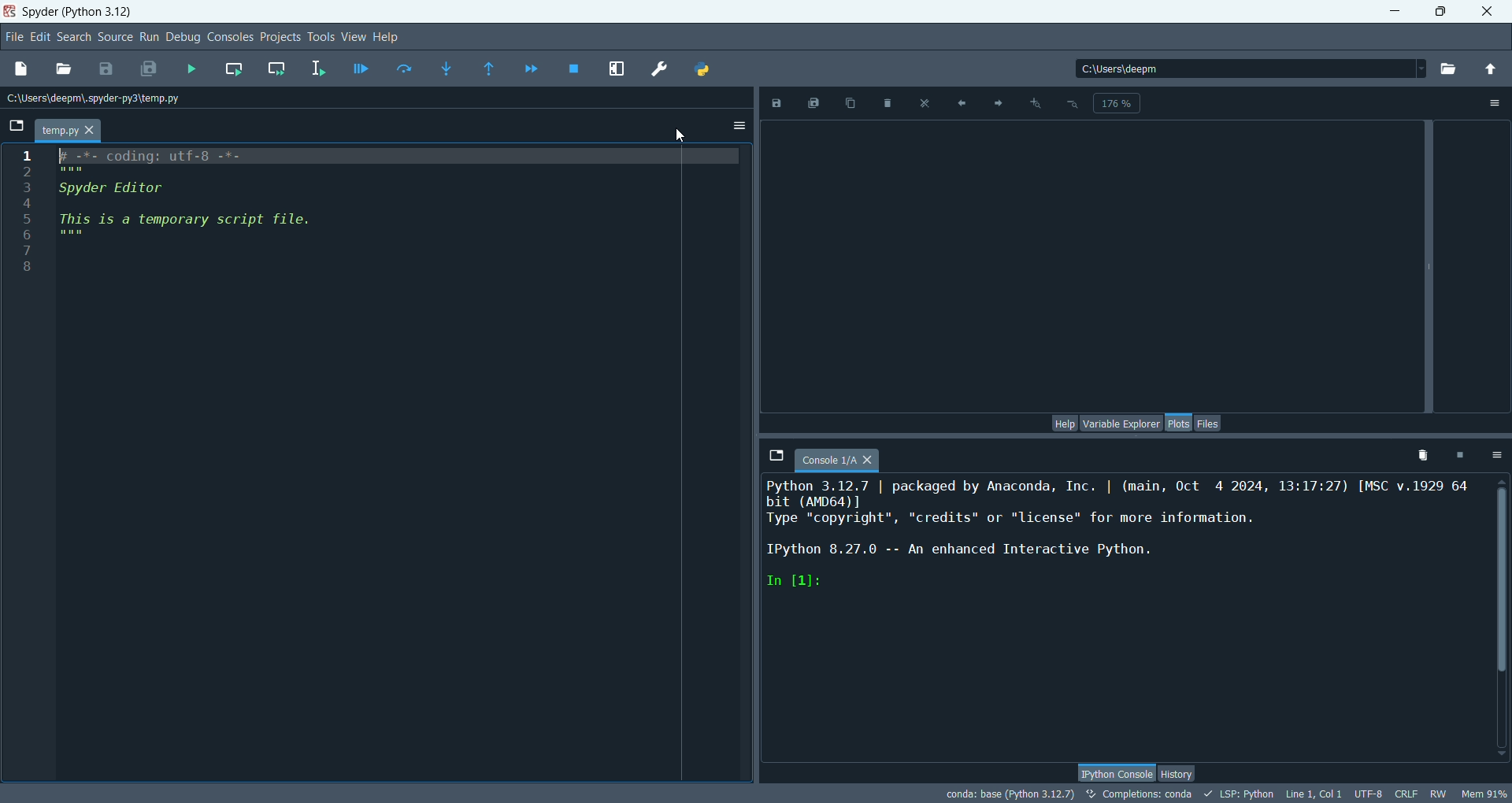 This screenshot has width=1512, height=803. What do you see at coordinates (1492, 71) in the screenshot?
I see `parent directory` at bounding box center [1492, 71].